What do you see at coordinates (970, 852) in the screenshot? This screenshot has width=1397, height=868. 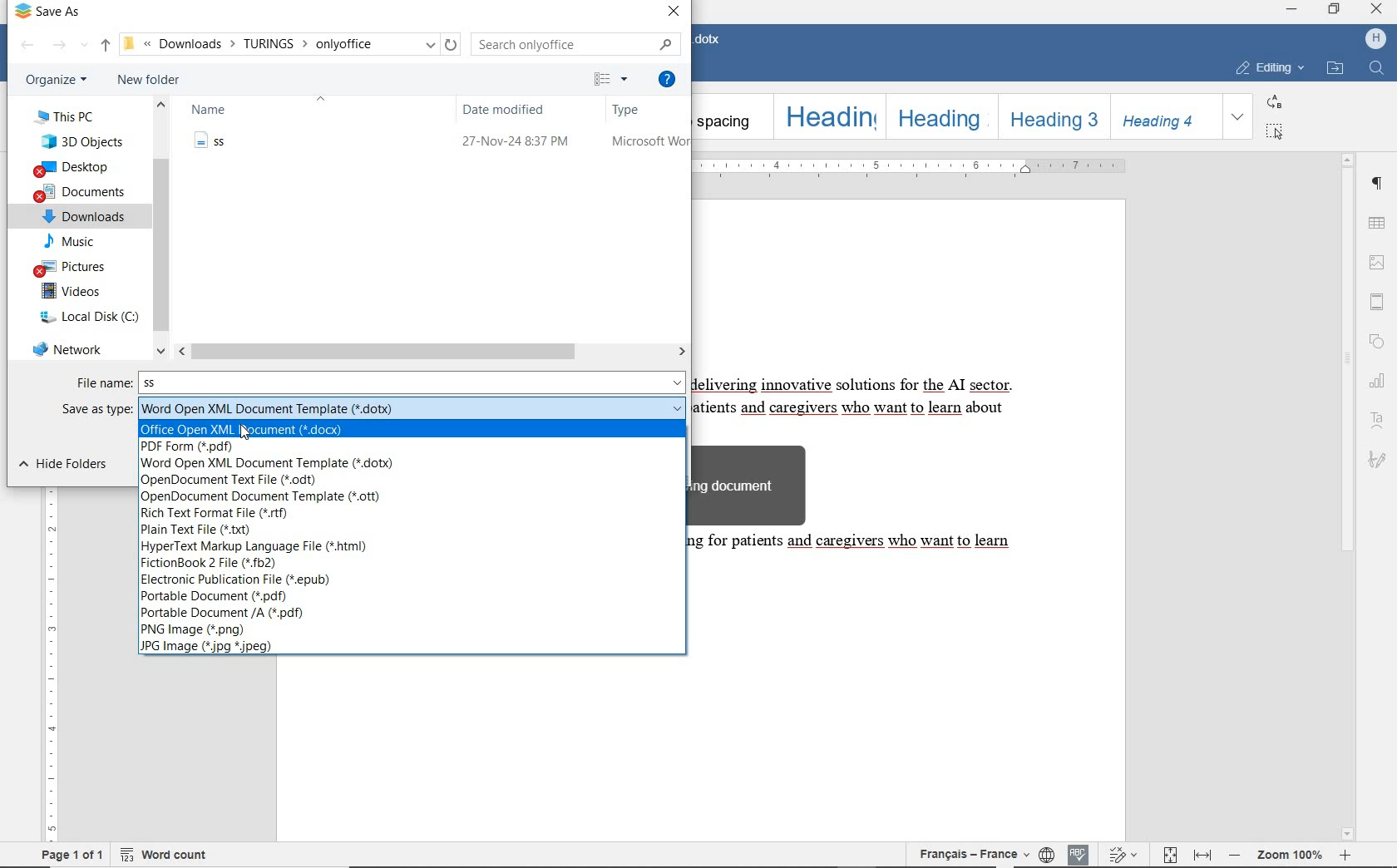 I see `TEXT LANGUAGE` at bounding box center [970, 852].